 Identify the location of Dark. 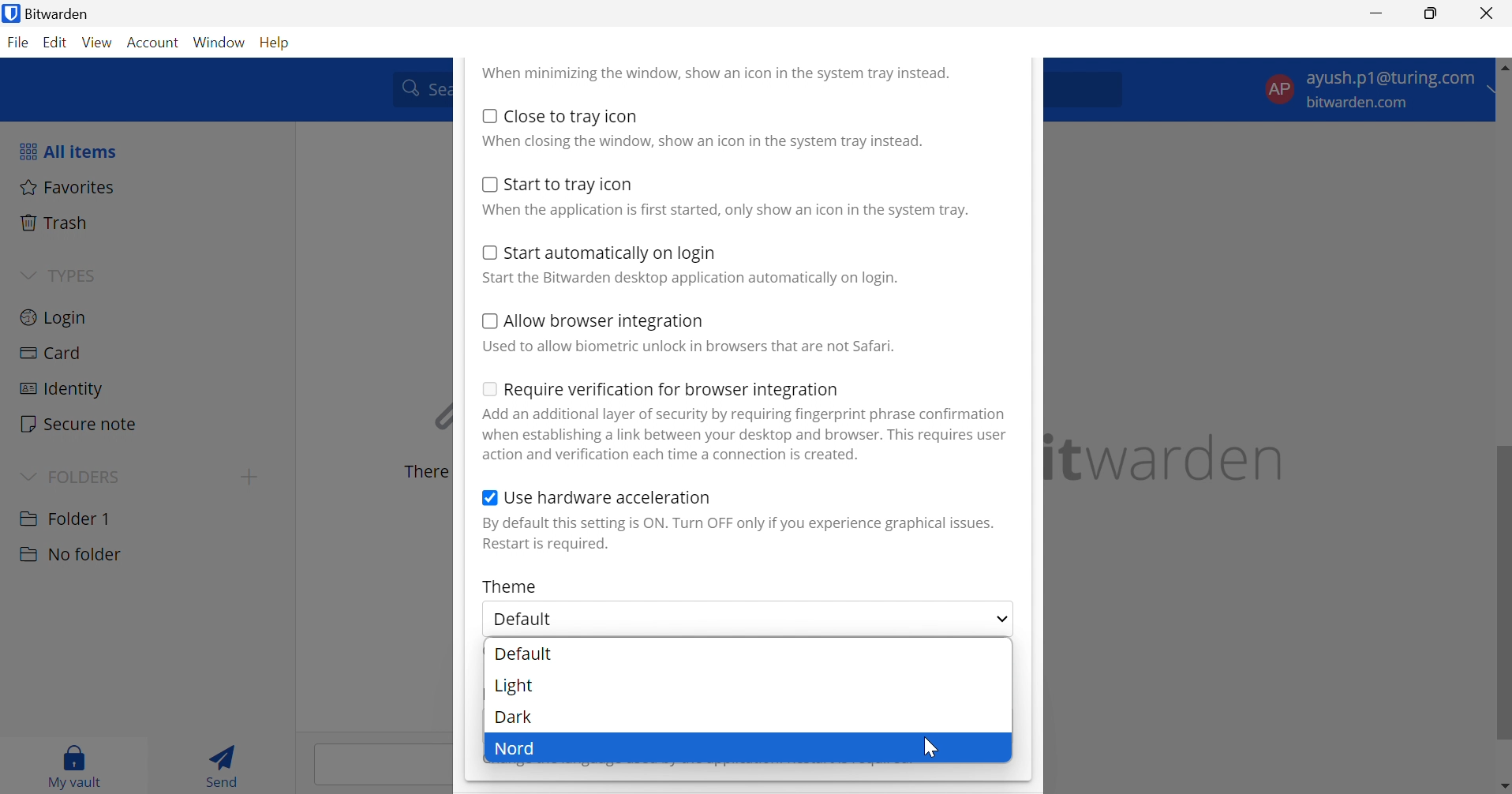
(515, 717).